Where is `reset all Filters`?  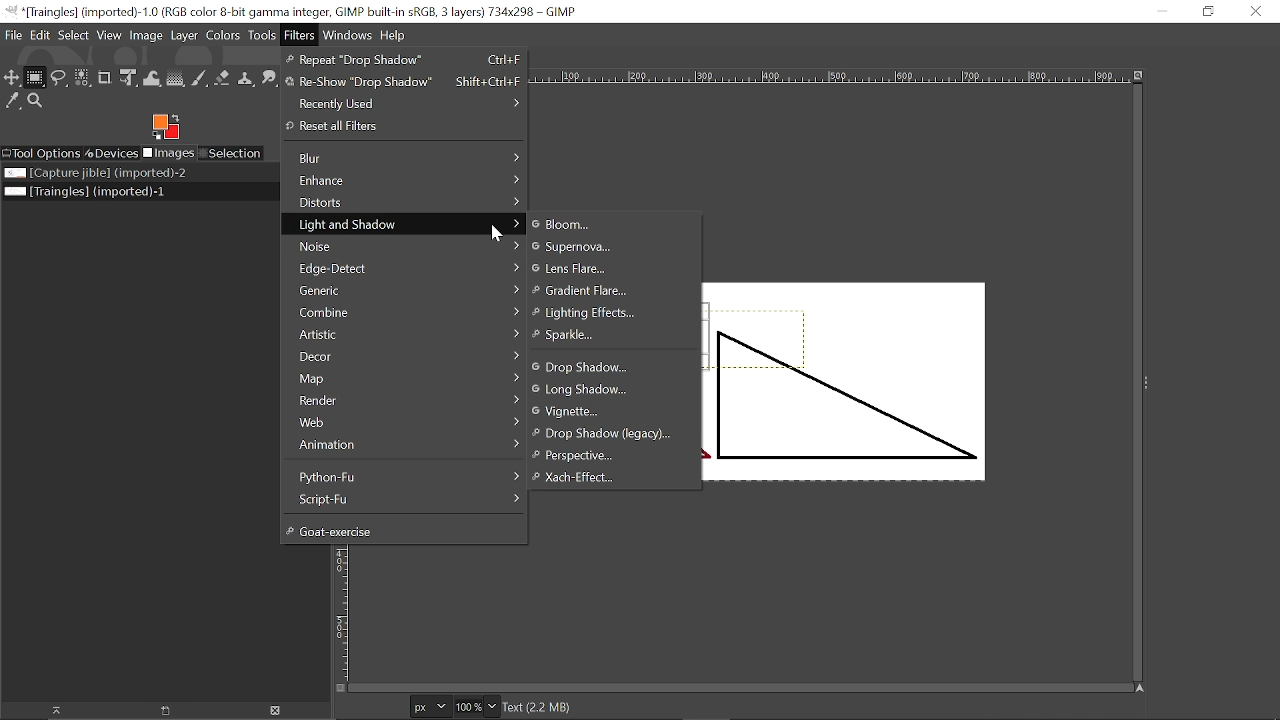 reset all Filters is located at coordinates (376, 127).